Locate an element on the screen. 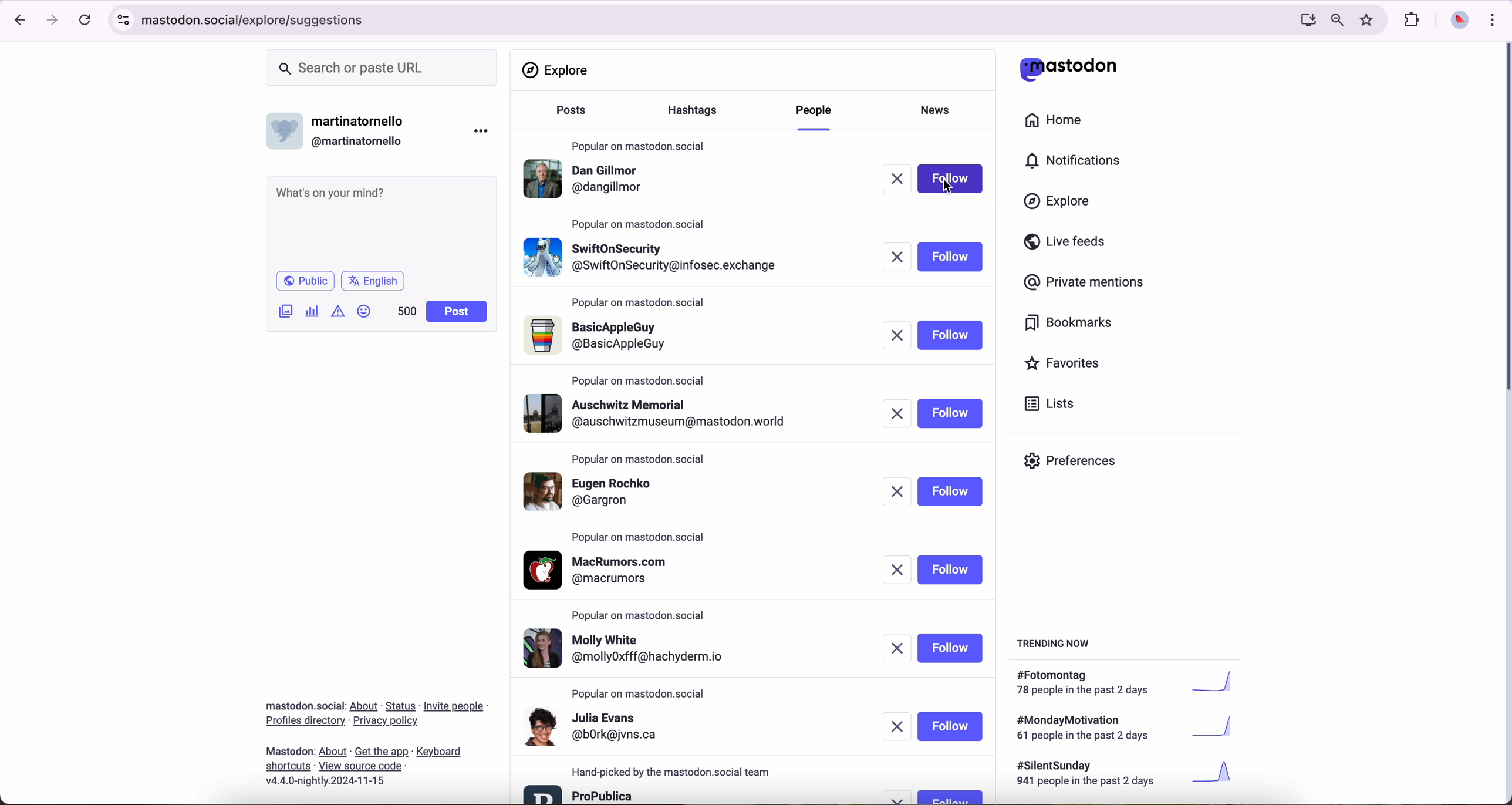  #mondaymotivation is located at coordinates (1123, 727).